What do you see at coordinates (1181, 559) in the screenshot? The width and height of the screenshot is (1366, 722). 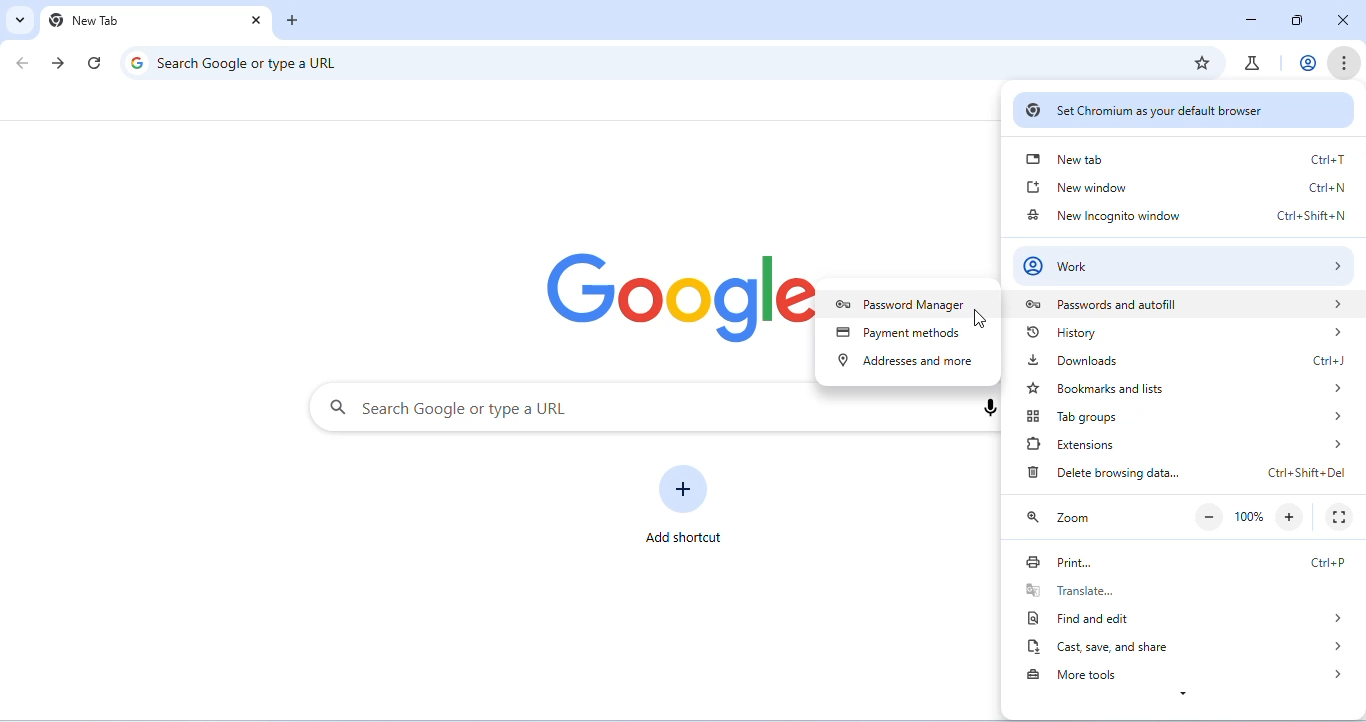 I see `print Ctrl+P` at bounding box center [1181, 559].